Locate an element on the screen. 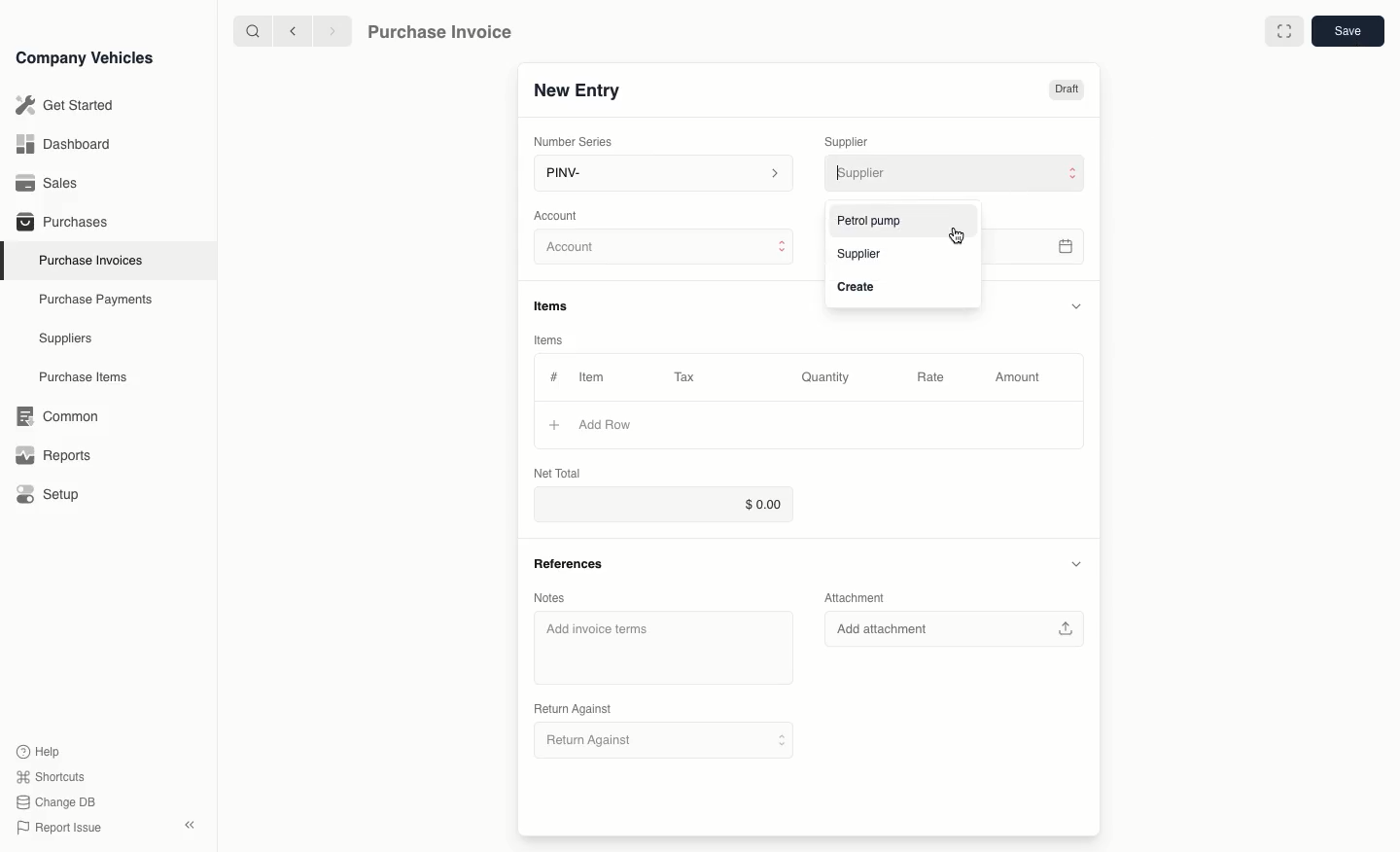  Return Against is located at coordinates (663, 740).